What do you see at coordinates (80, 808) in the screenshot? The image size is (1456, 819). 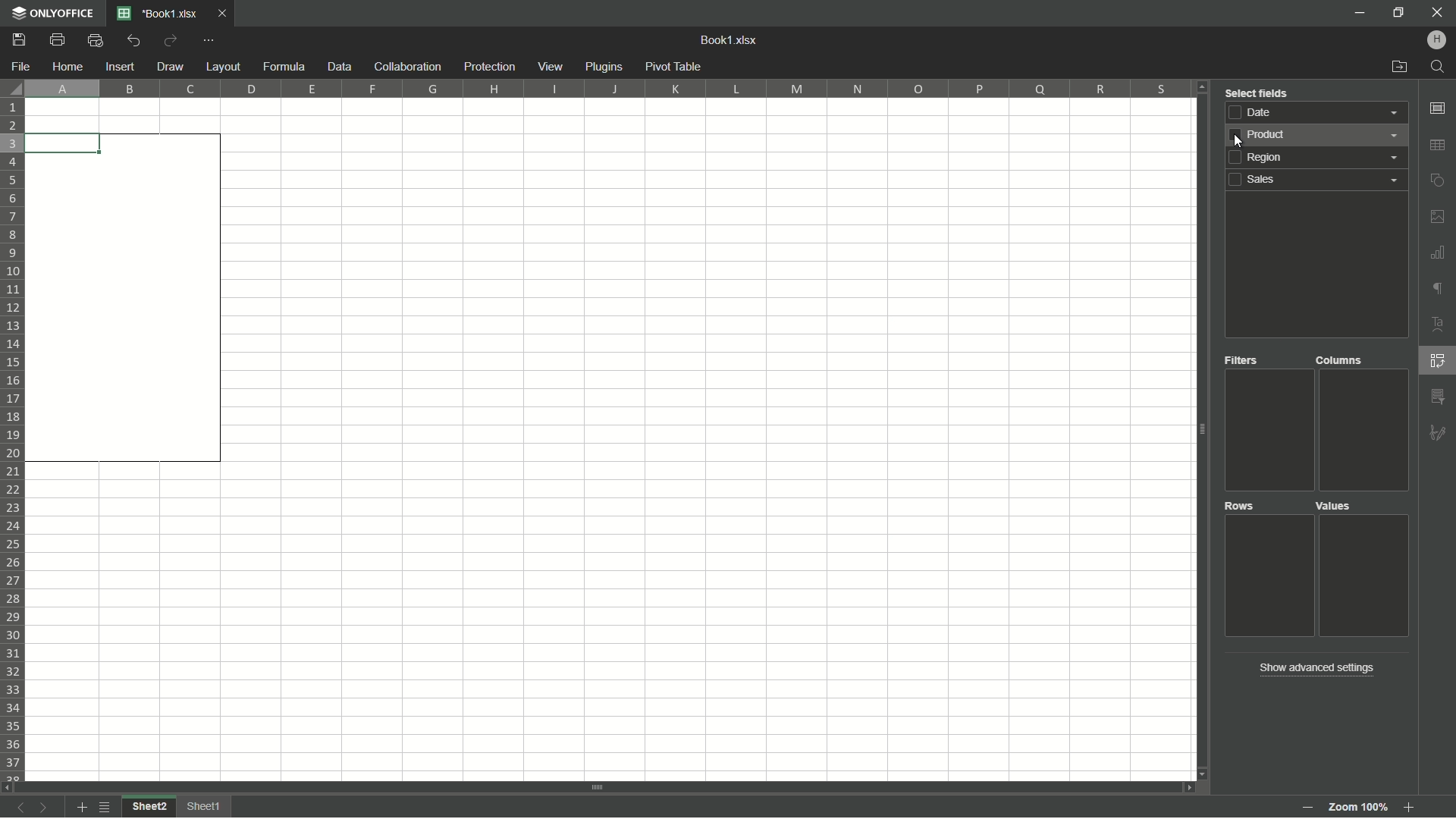 I see `add sheet` at bounding box center [80, 808].